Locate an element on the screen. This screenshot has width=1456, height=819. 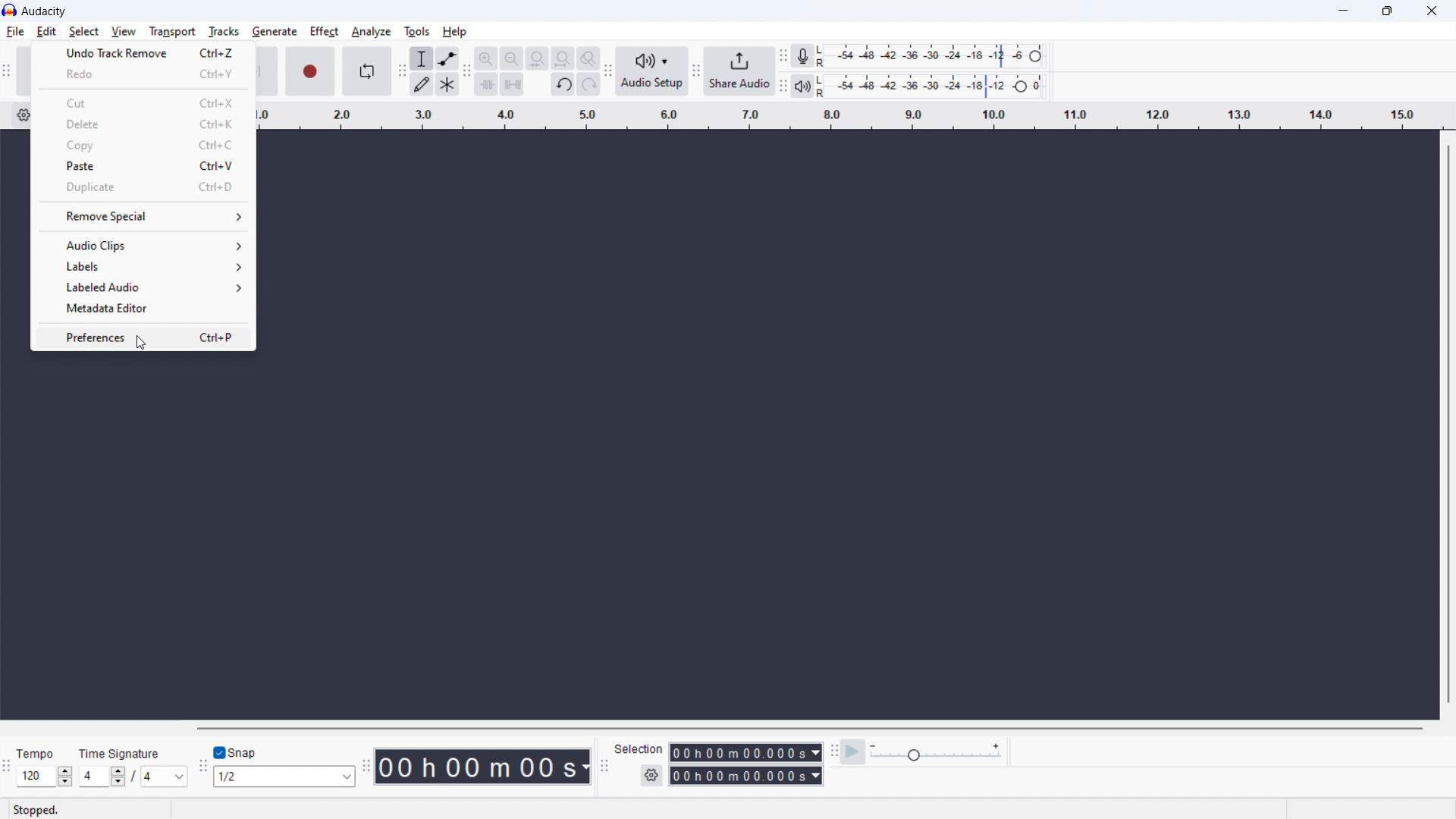
Time Signature - indicates section for time signature of audio is located at coordinates (119, 753).